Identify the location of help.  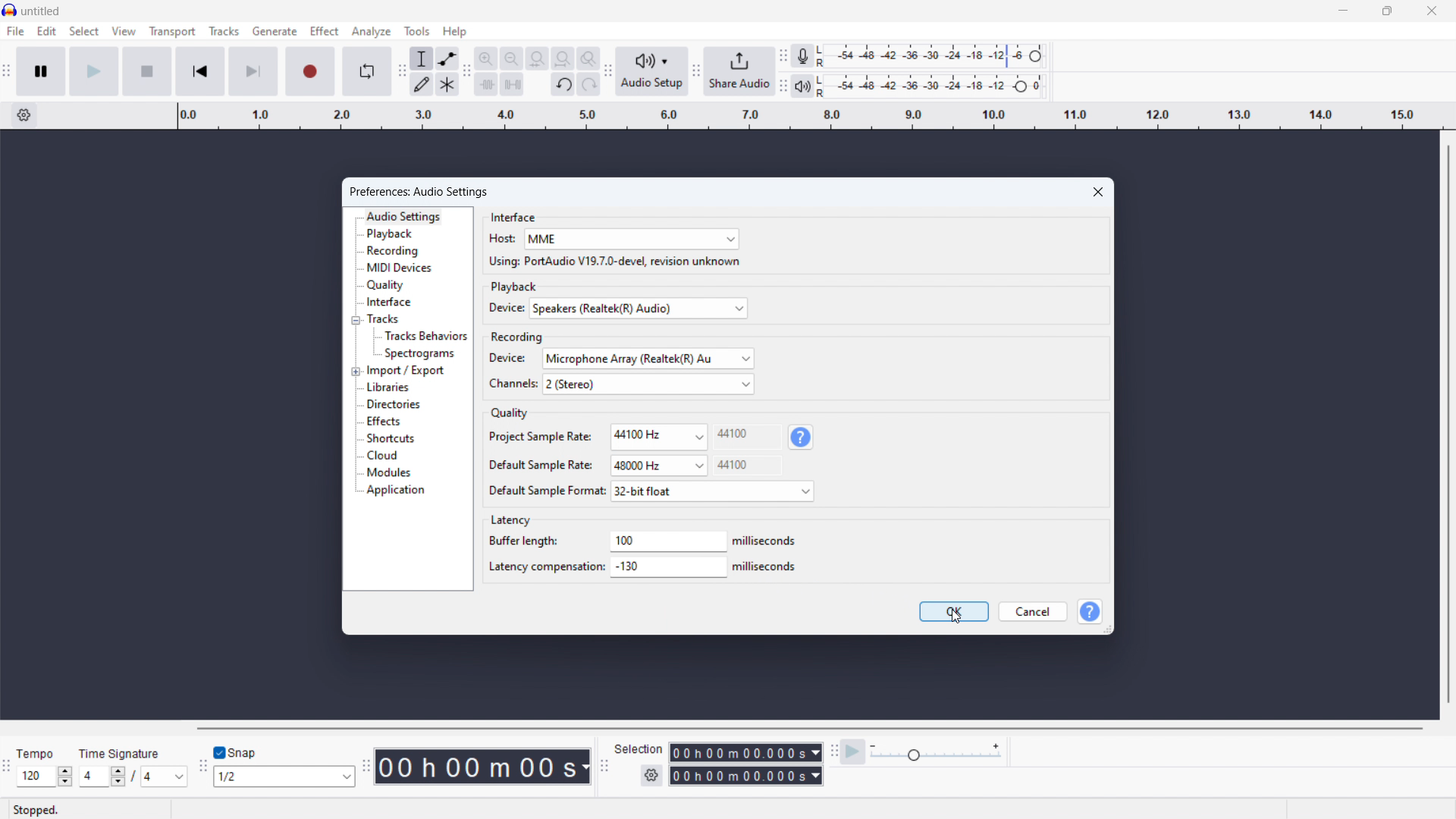
(802, 437).